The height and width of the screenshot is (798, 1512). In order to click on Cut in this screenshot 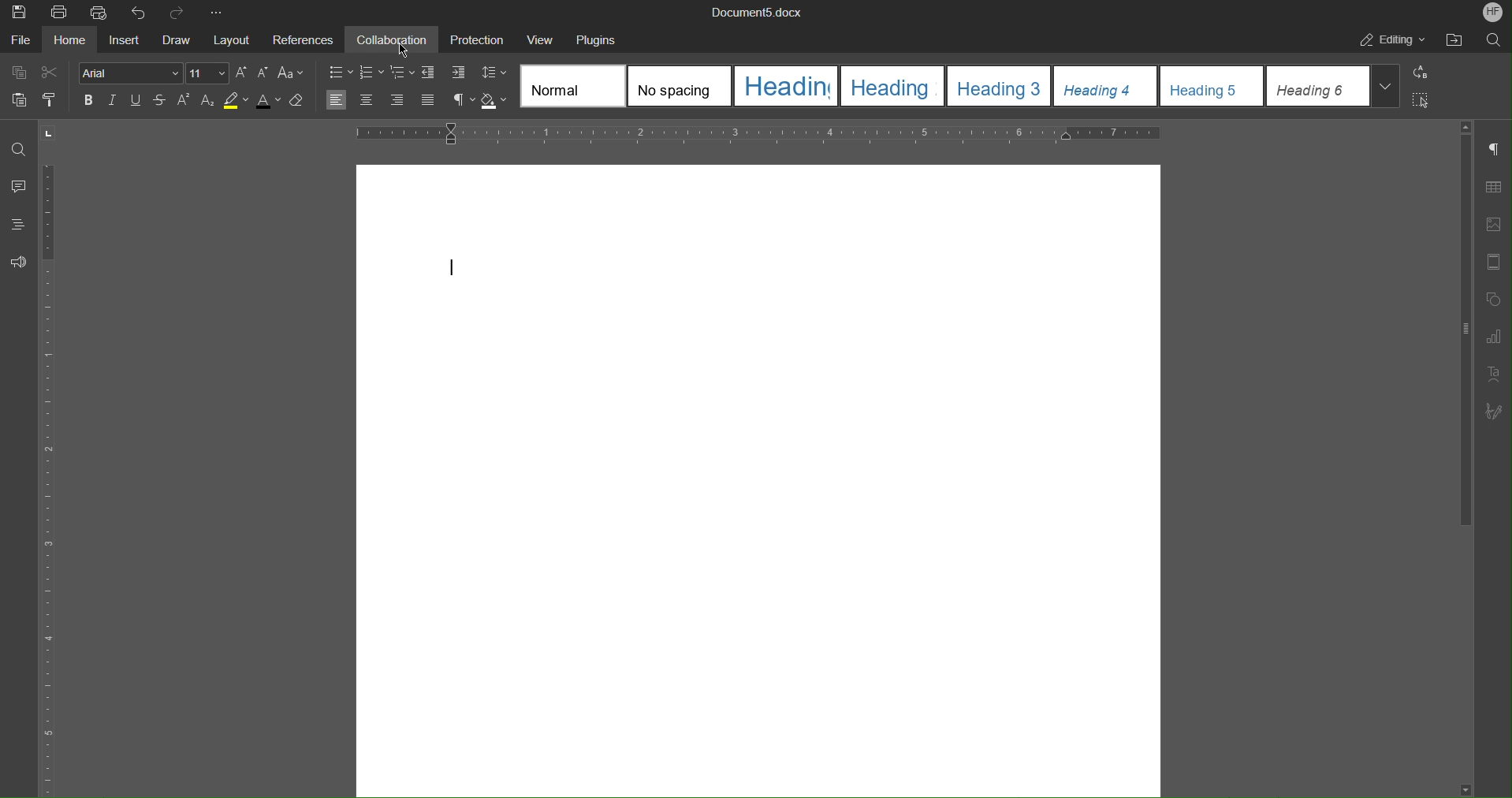, I will do `click(51, 73)`.